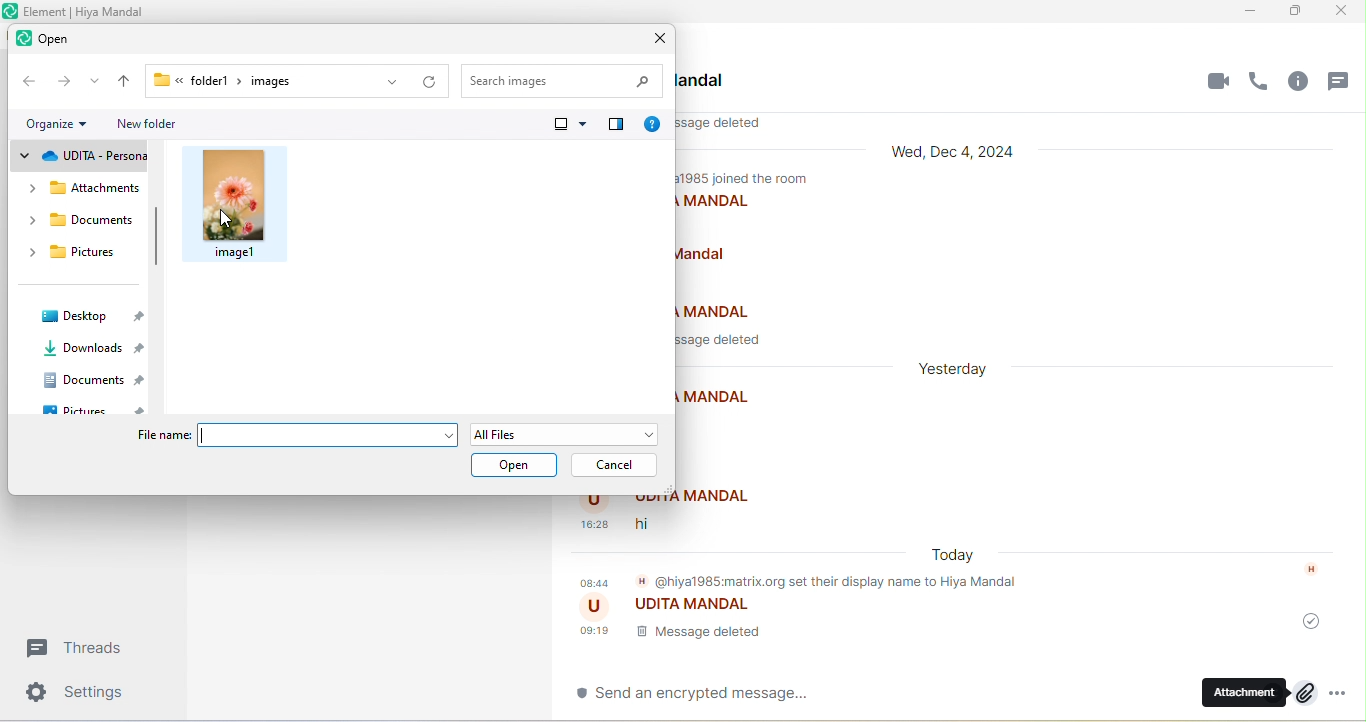  I want to click on more option, so click(568, 125).